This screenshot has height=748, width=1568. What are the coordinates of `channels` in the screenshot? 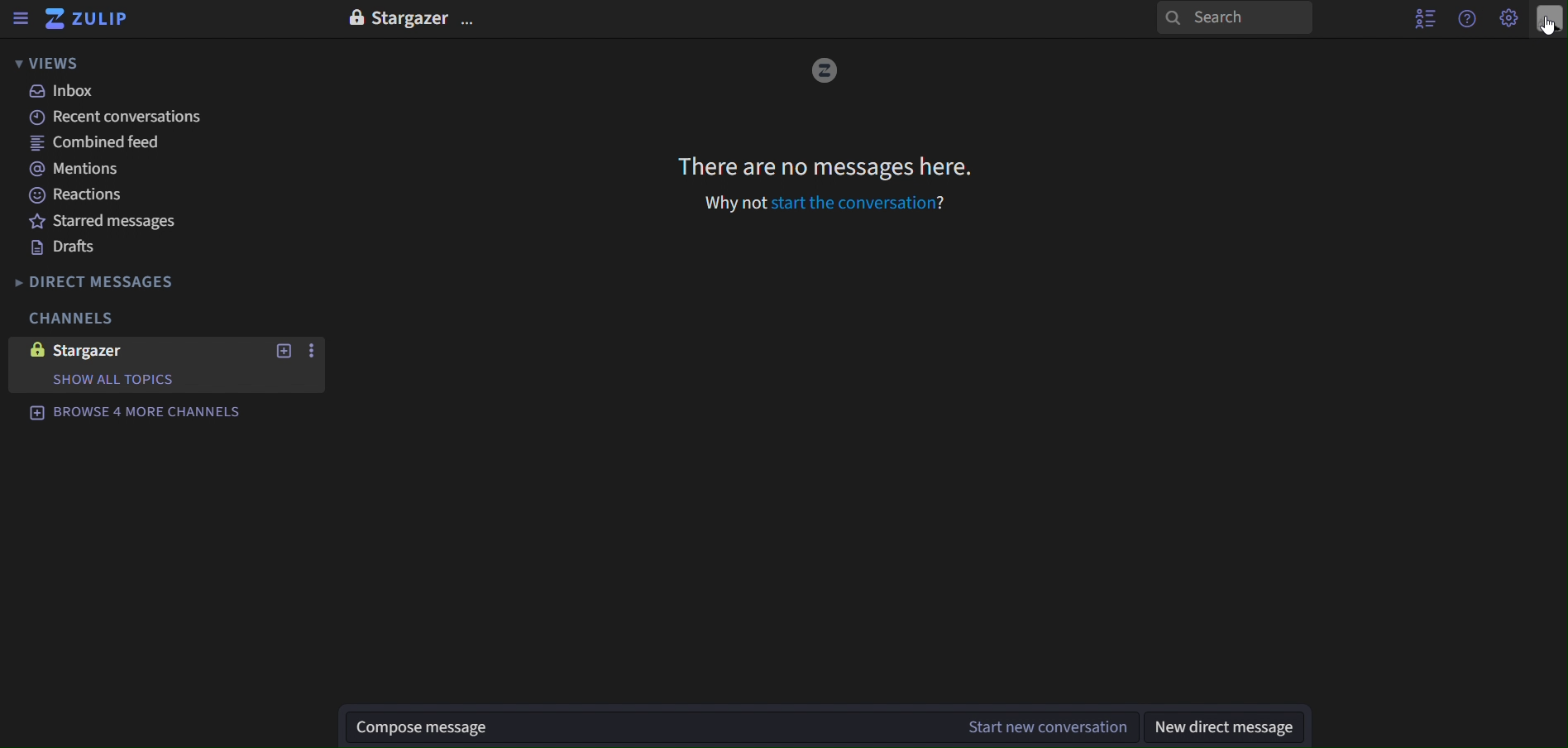 It's located at (78, 319).